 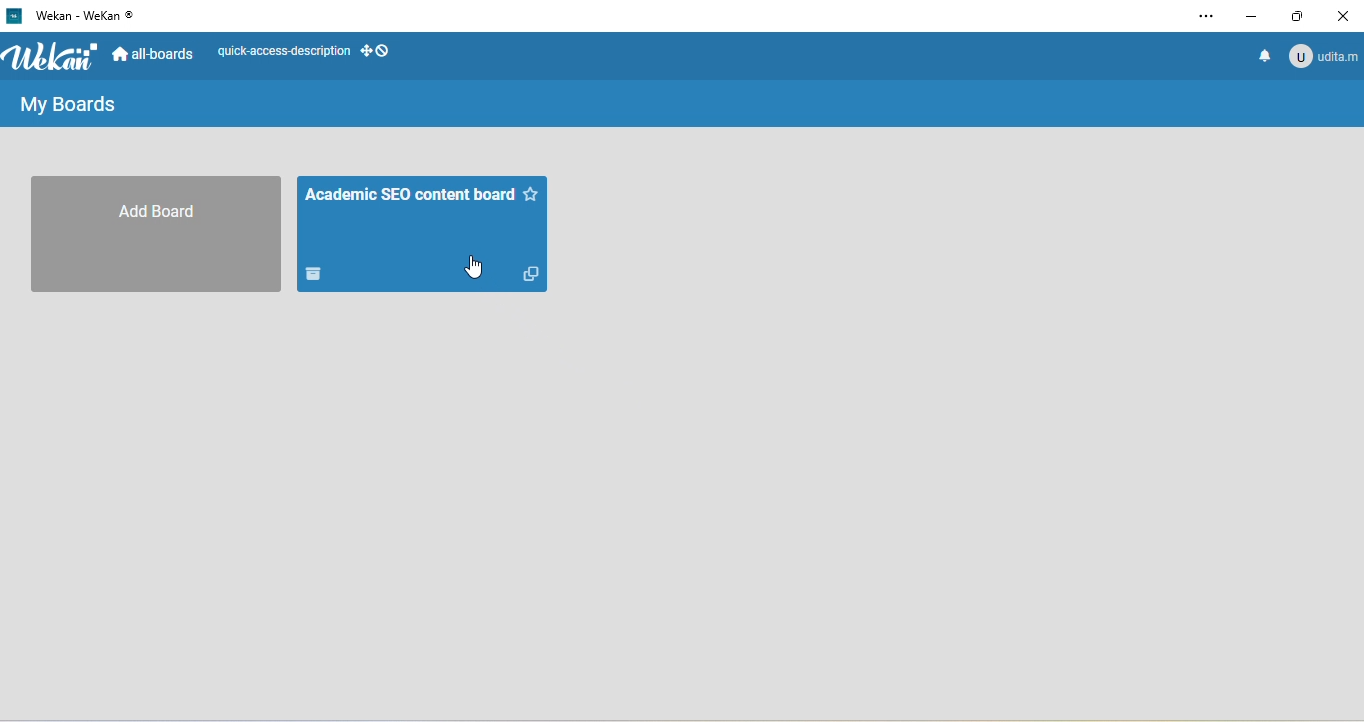 I want to click on move to archive , so click(x=315, y=273).